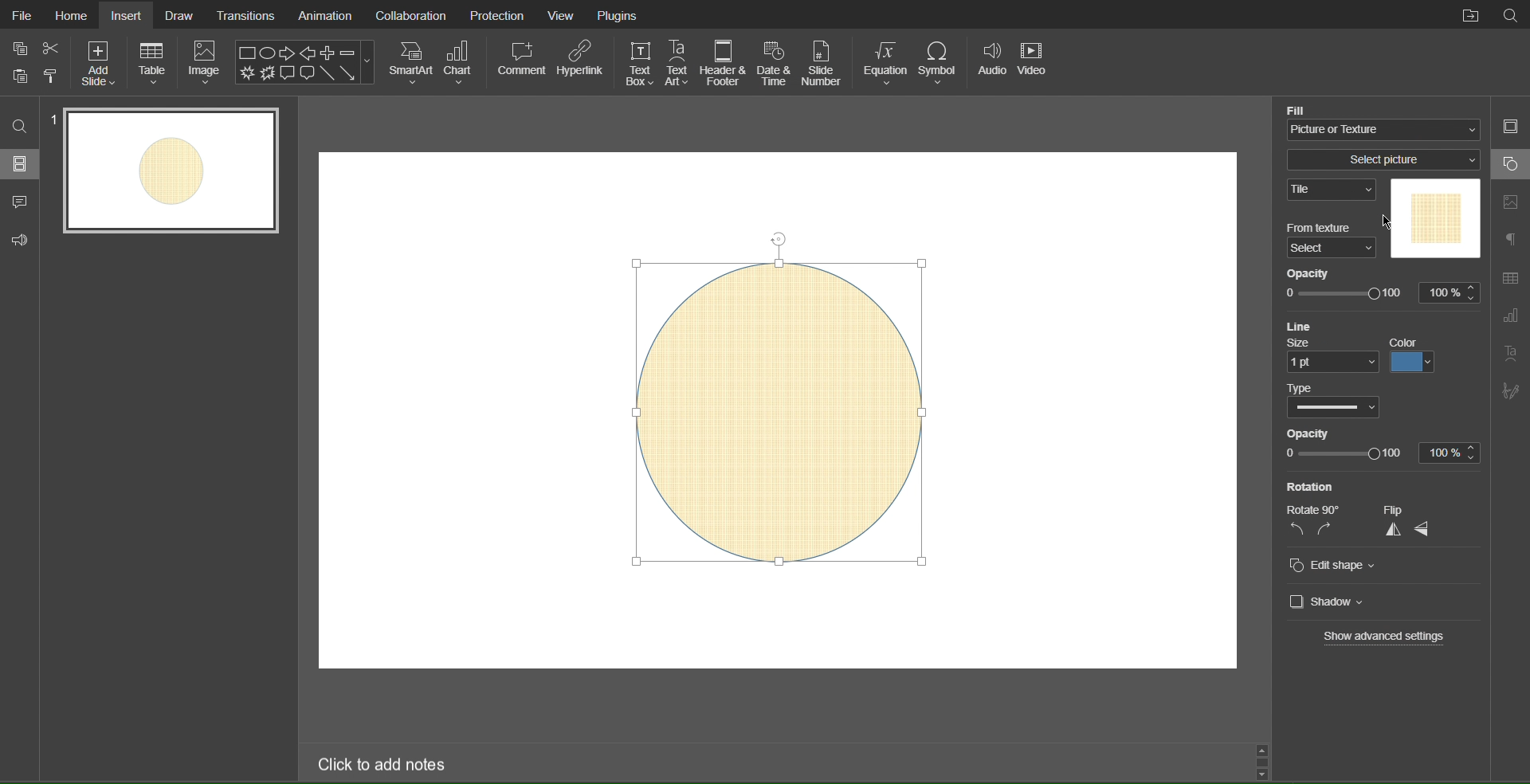  I want to click on Graph Settings, so click(1510, 318).